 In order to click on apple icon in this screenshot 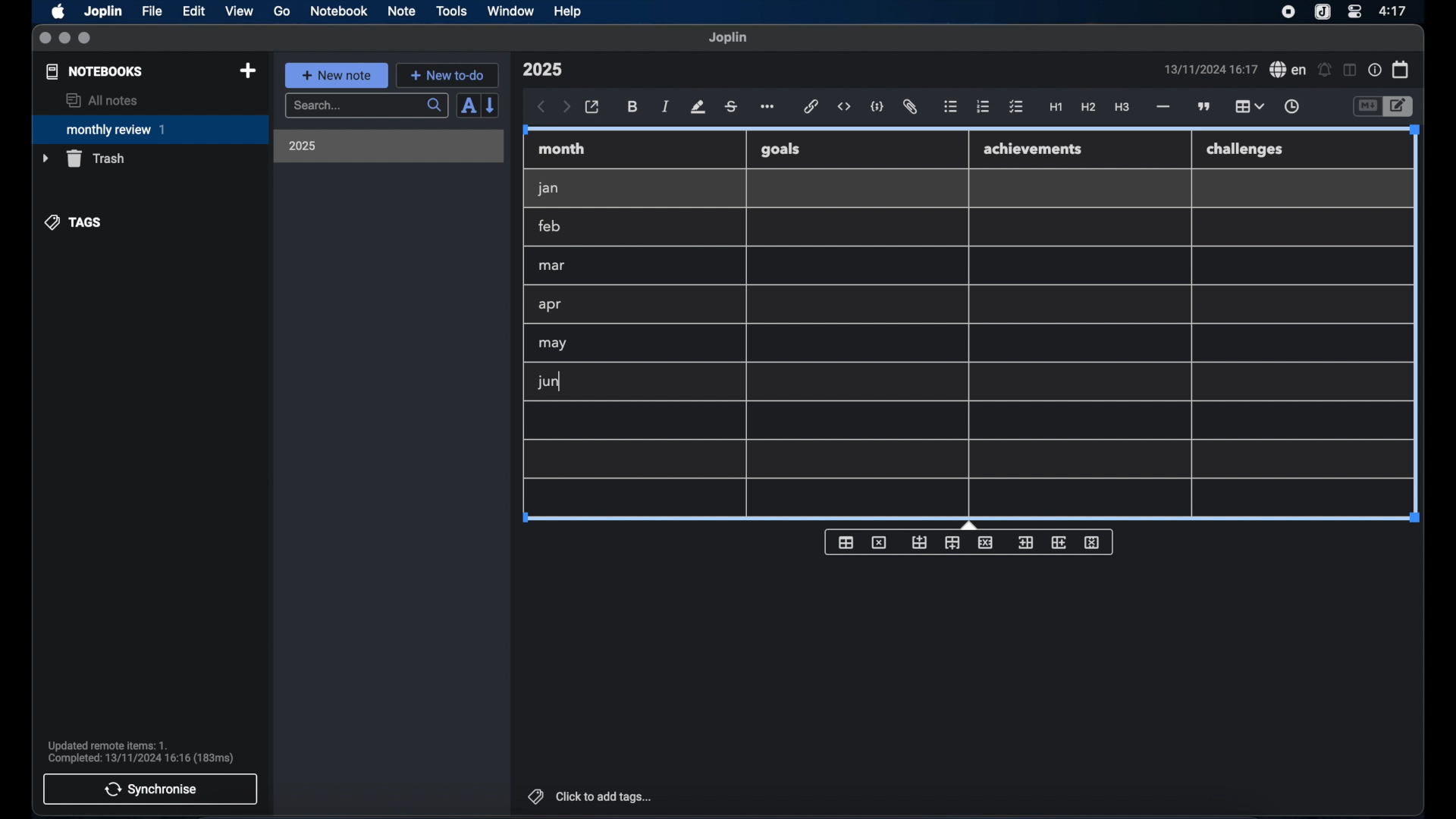, I will do `click(57, 11)`.